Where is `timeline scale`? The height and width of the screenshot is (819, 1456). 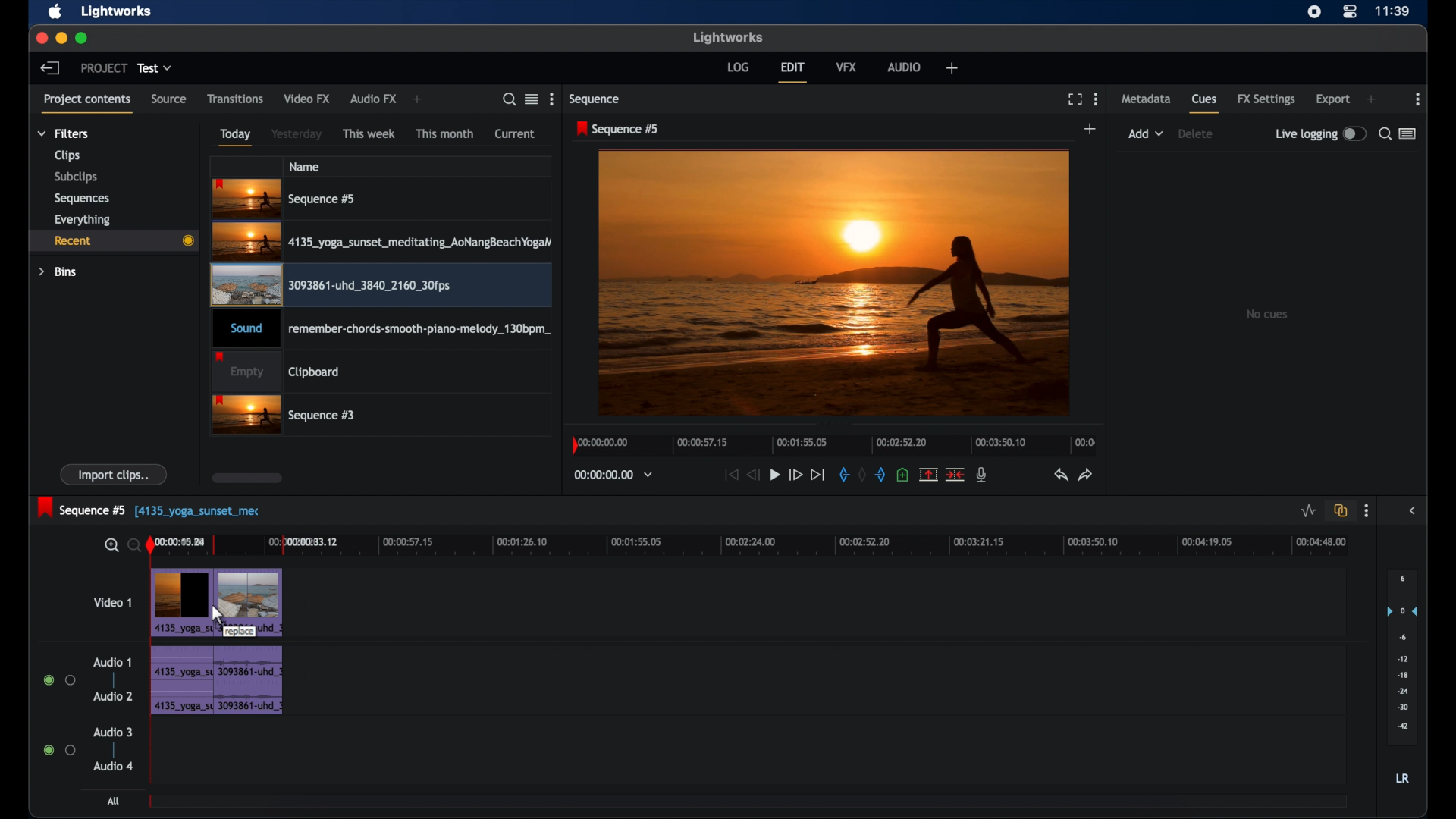 timeline scale is located at coordinates (833, 444).